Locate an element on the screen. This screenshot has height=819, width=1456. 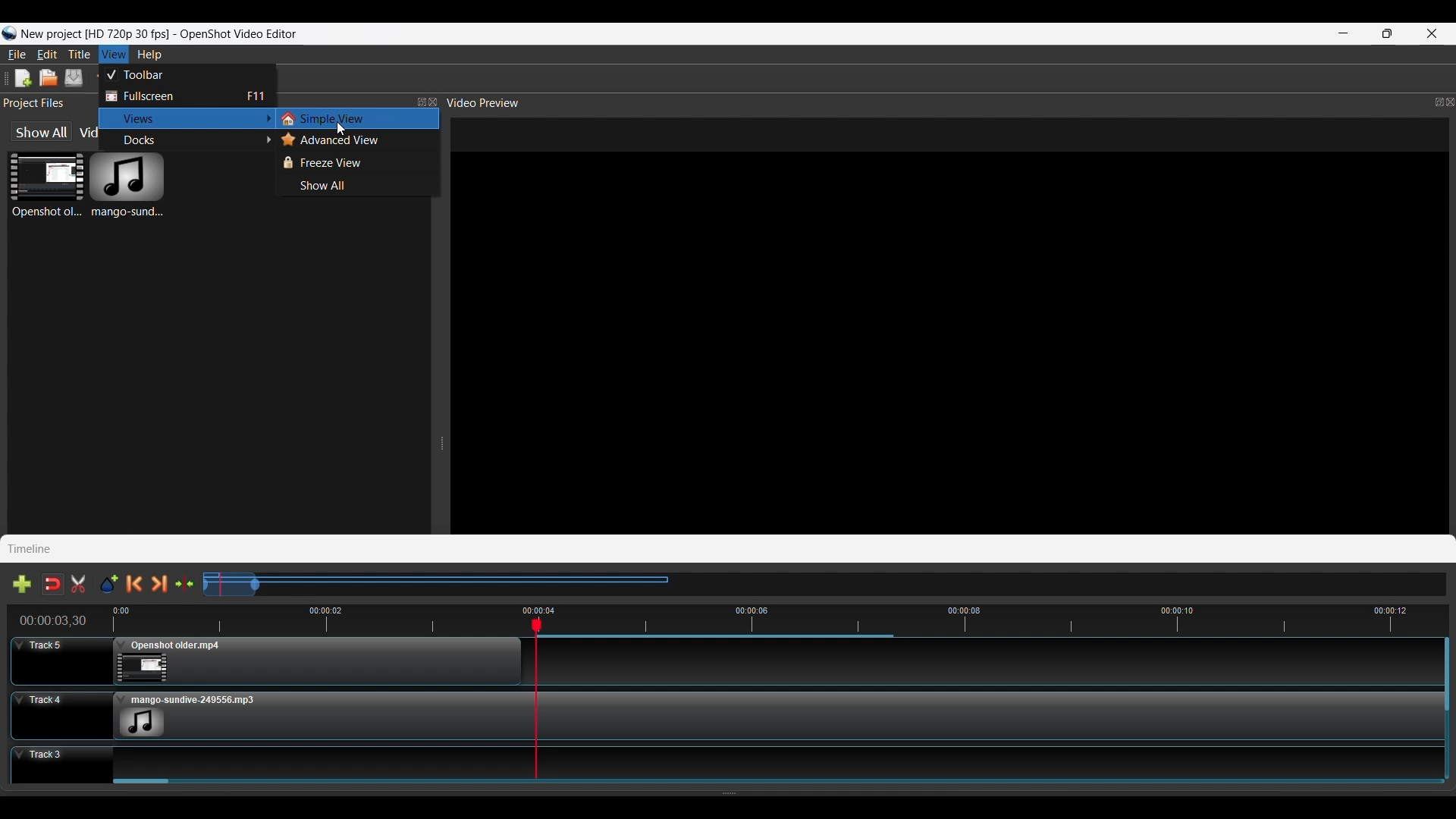
Audio File is located at coordinates (127, 187).